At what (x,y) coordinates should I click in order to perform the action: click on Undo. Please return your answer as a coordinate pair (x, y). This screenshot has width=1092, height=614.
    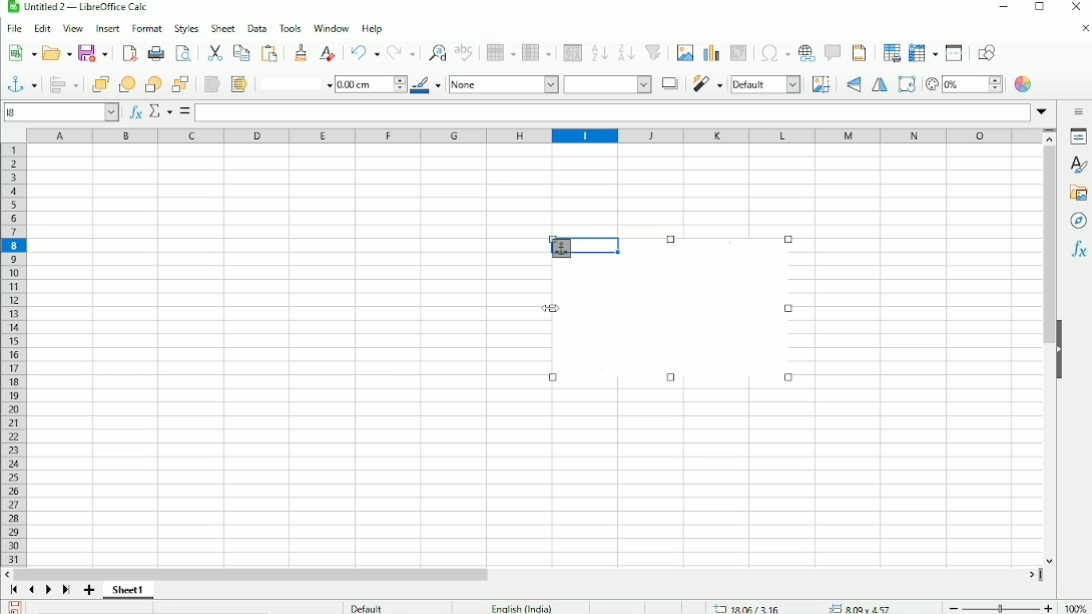
    Looking at the image, I should click on (364, 53).